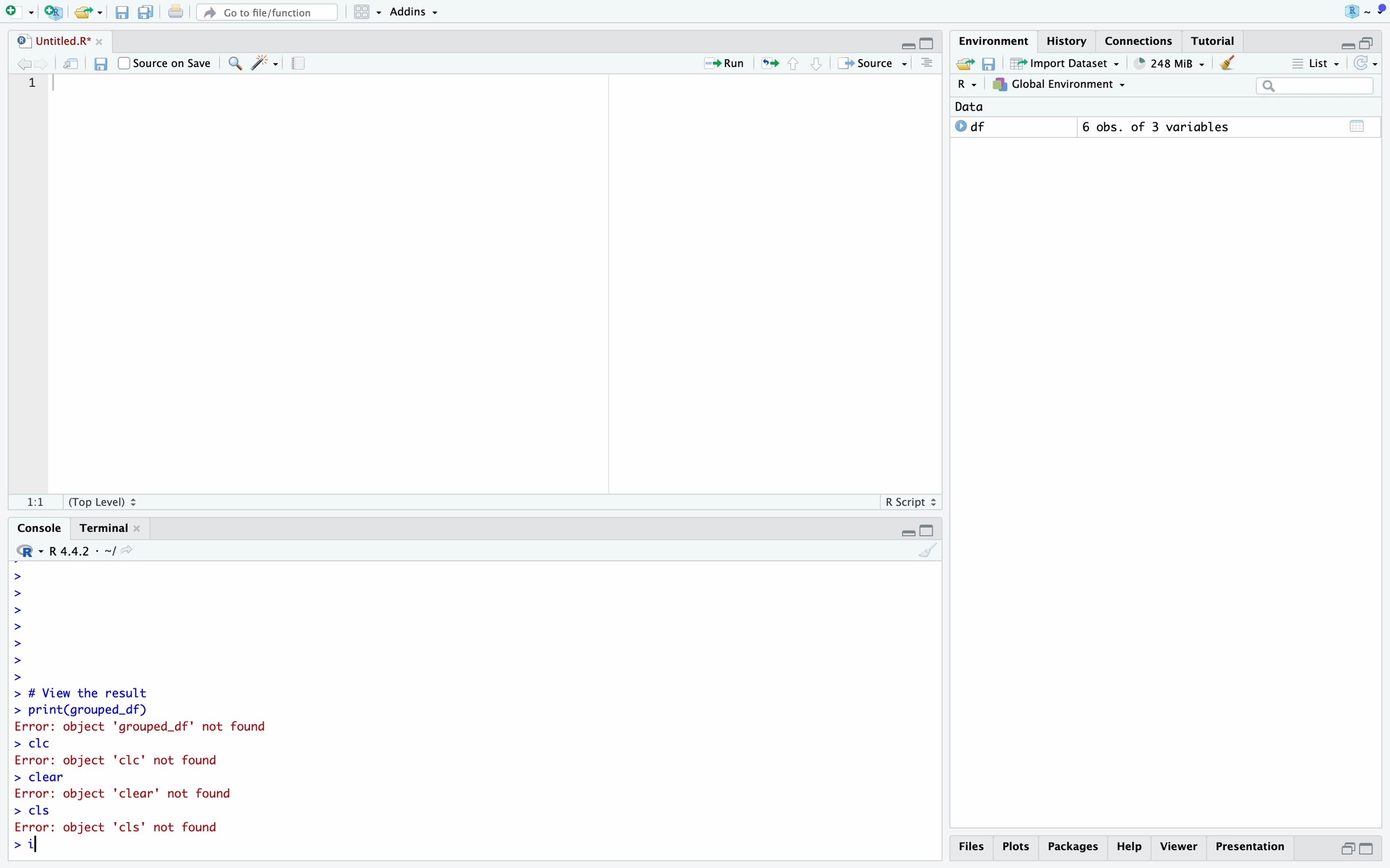  What do you see at coordinates (906, 44) in the screenshot?
I see `Hide` at bounding box center [906, 44].